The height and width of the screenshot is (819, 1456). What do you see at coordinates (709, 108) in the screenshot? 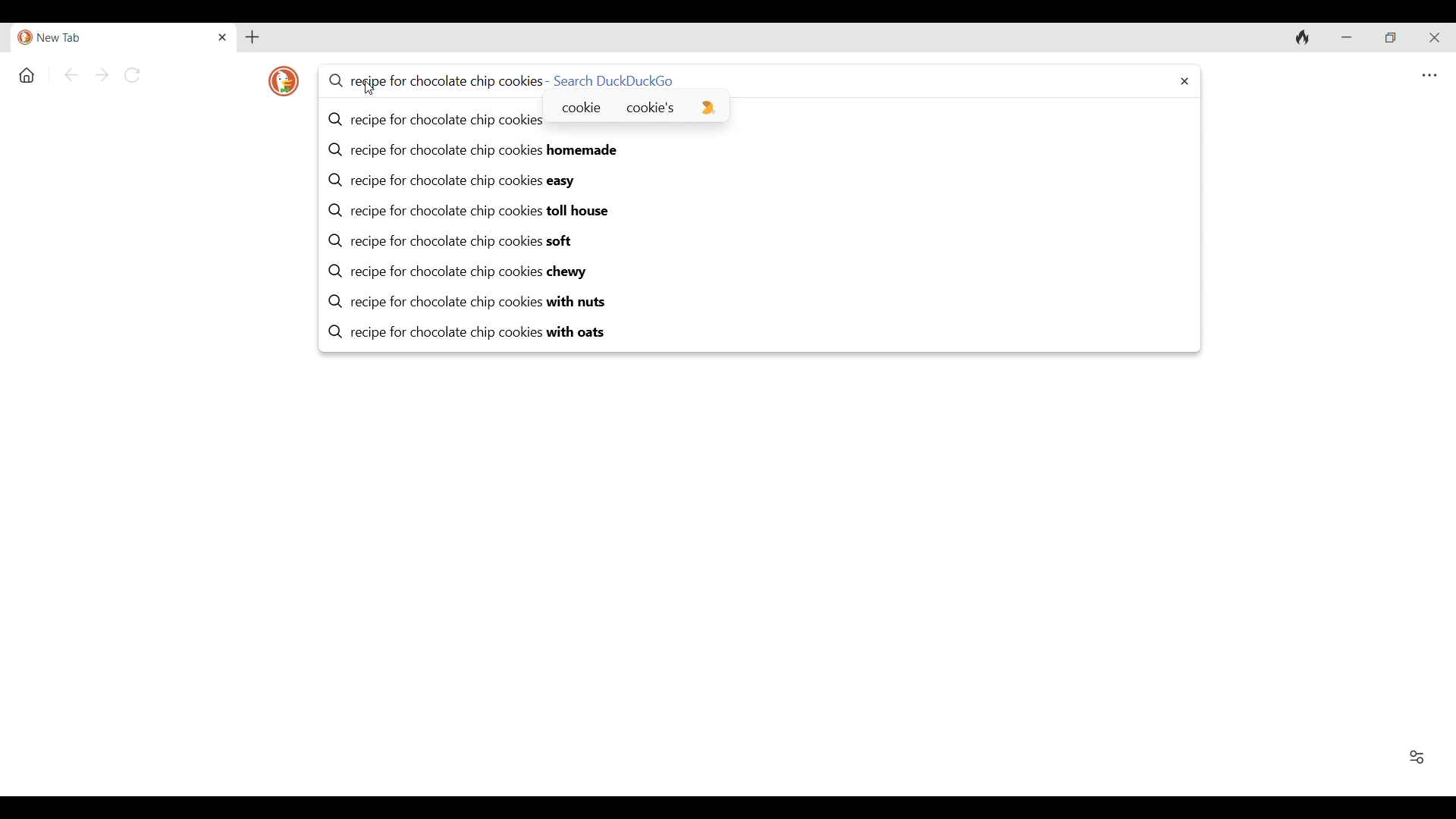
I see `Suggestion for typed word` at bounding box center [709, 108].